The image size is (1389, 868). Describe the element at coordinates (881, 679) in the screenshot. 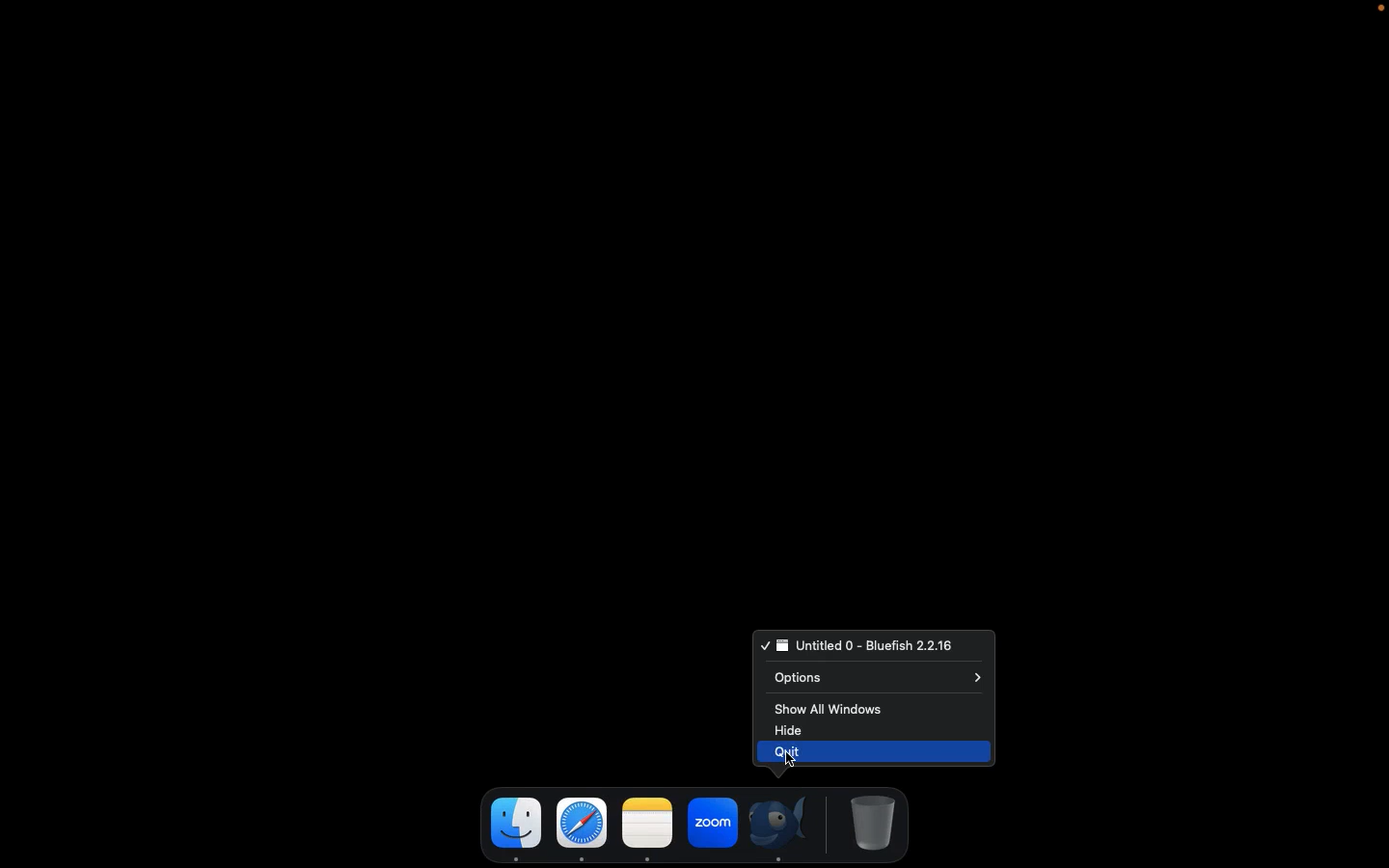

I see `Options` at that location.